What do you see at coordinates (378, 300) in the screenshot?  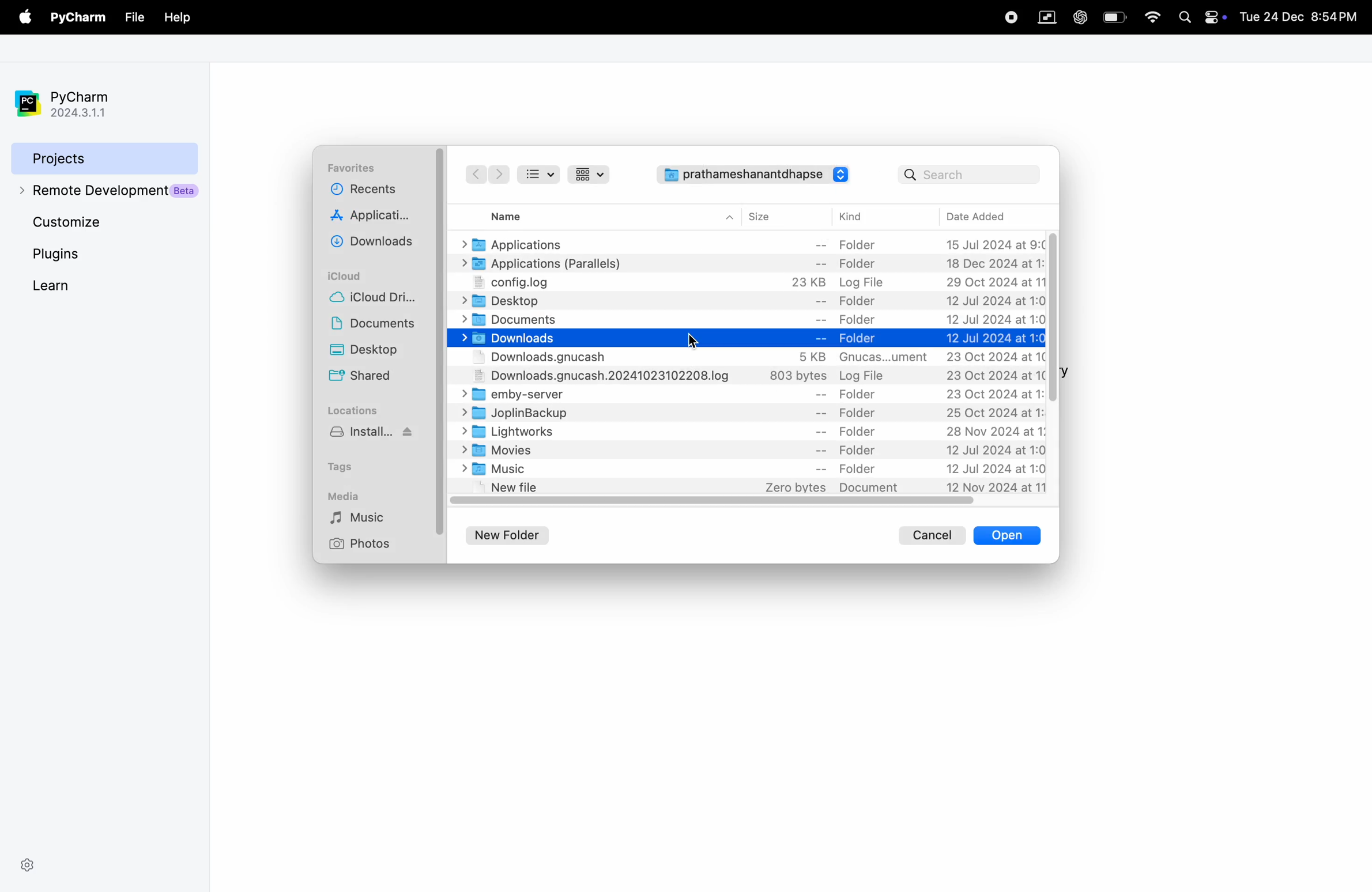 I see `cloud drive` at bounding box center [378, 300].